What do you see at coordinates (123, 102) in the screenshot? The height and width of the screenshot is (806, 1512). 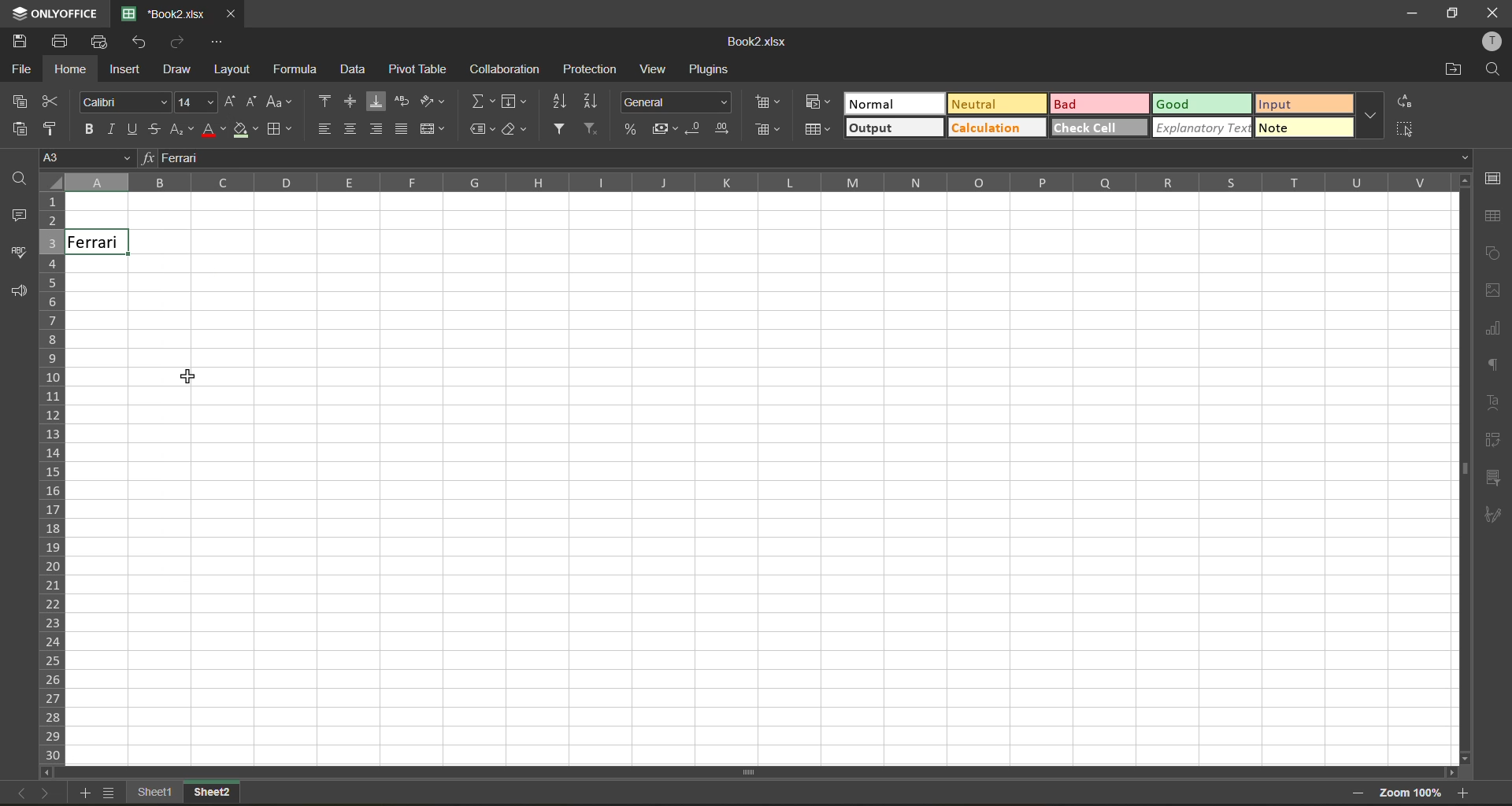 I see `font style` at bounding box center [123, 102].